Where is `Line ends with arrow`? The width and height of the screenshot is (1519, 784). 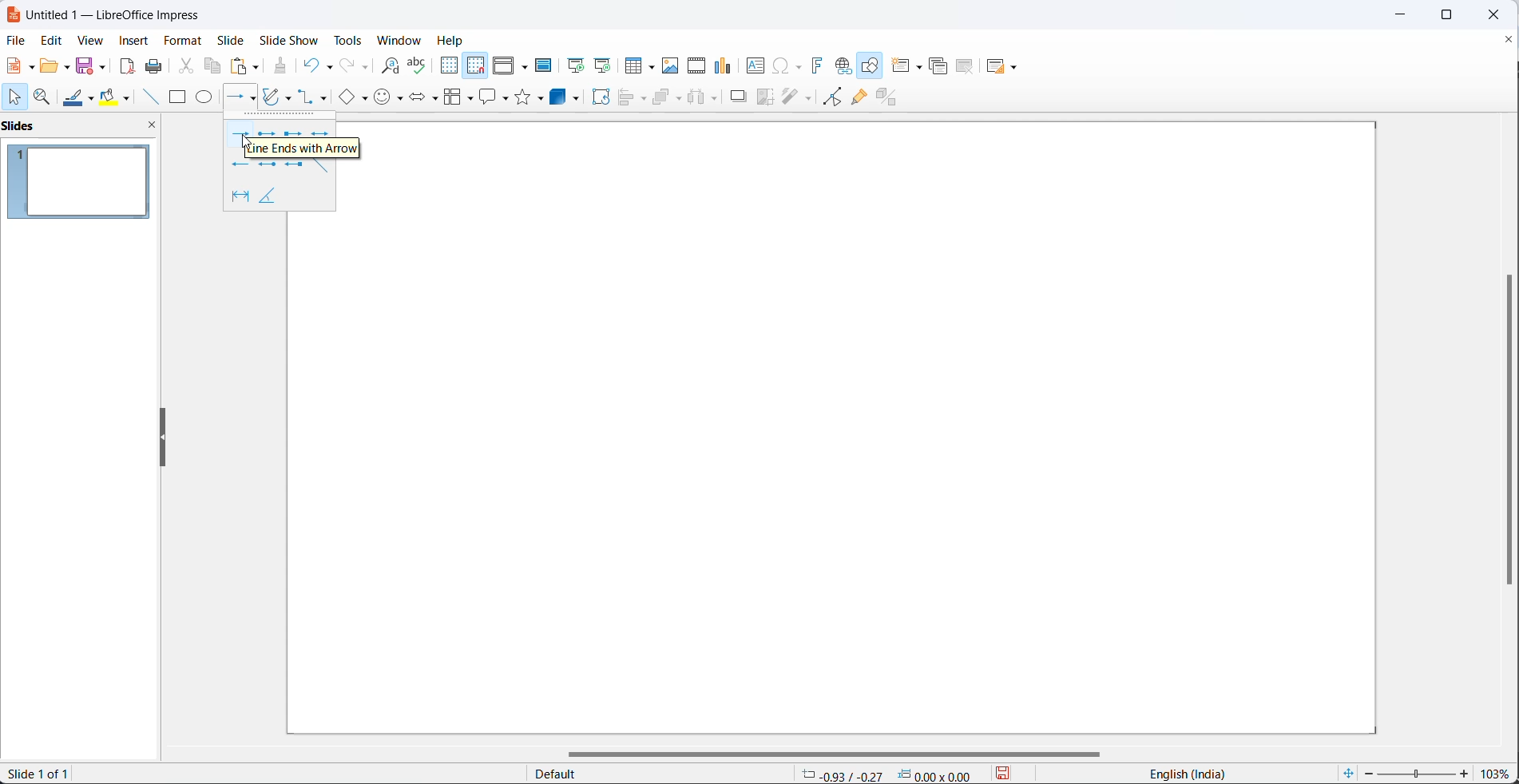 Line ends with arrow is located at coordinates (307, 148).